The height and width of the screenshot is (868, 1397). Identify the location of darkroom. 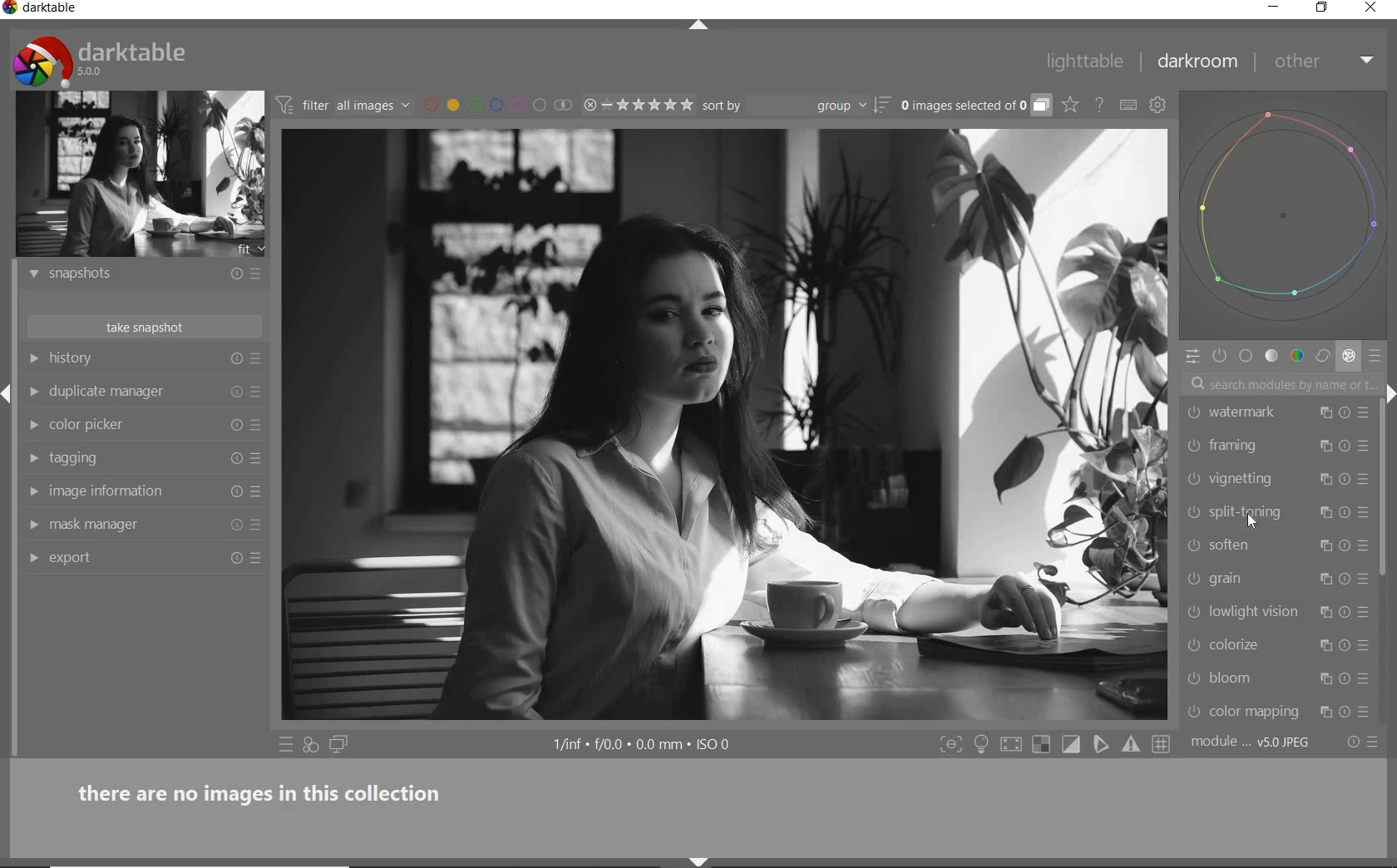
(1198, 65).